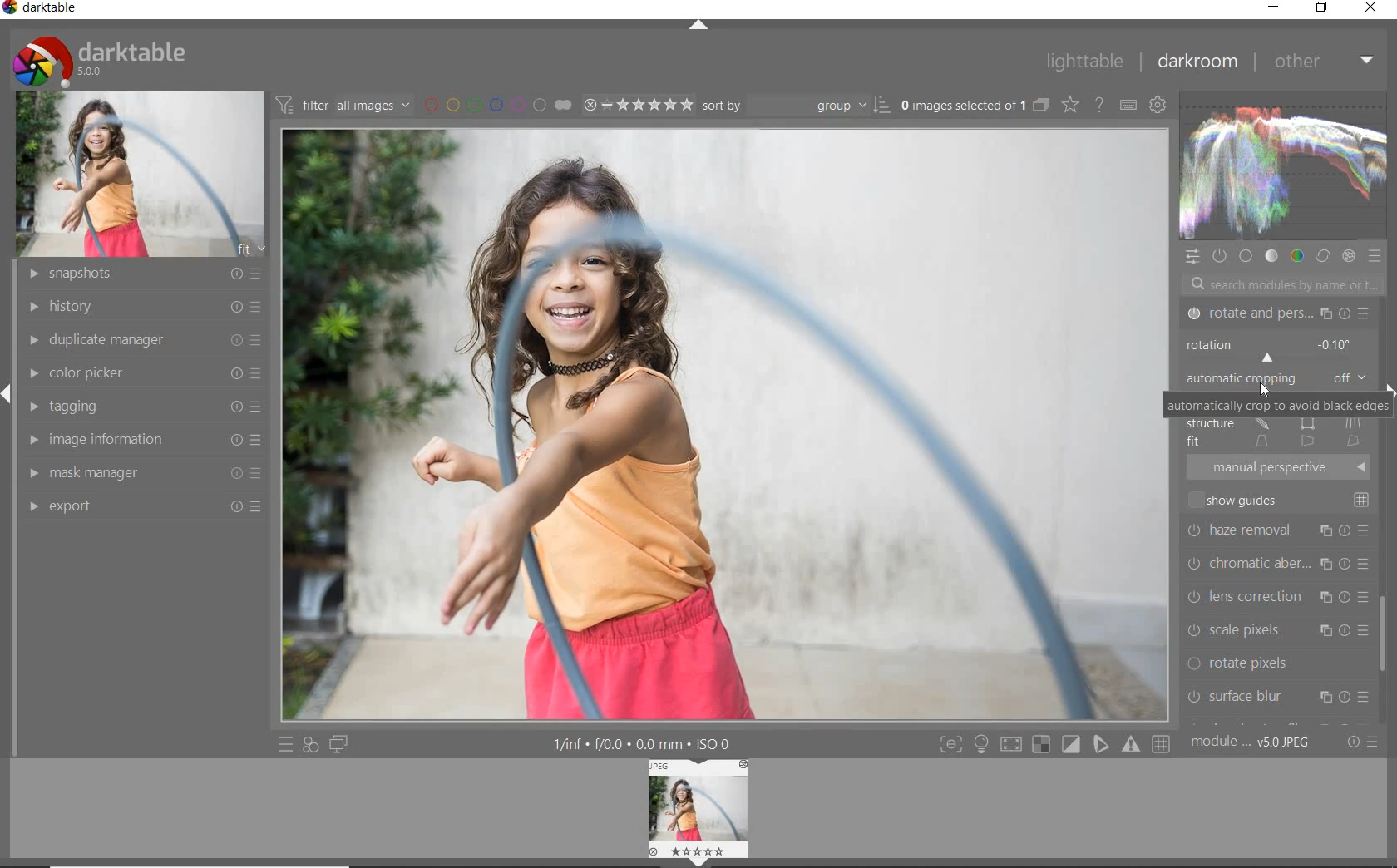 This screenshot has height=868, width=1397. I want to click on show global preference, so click(1156, 102).